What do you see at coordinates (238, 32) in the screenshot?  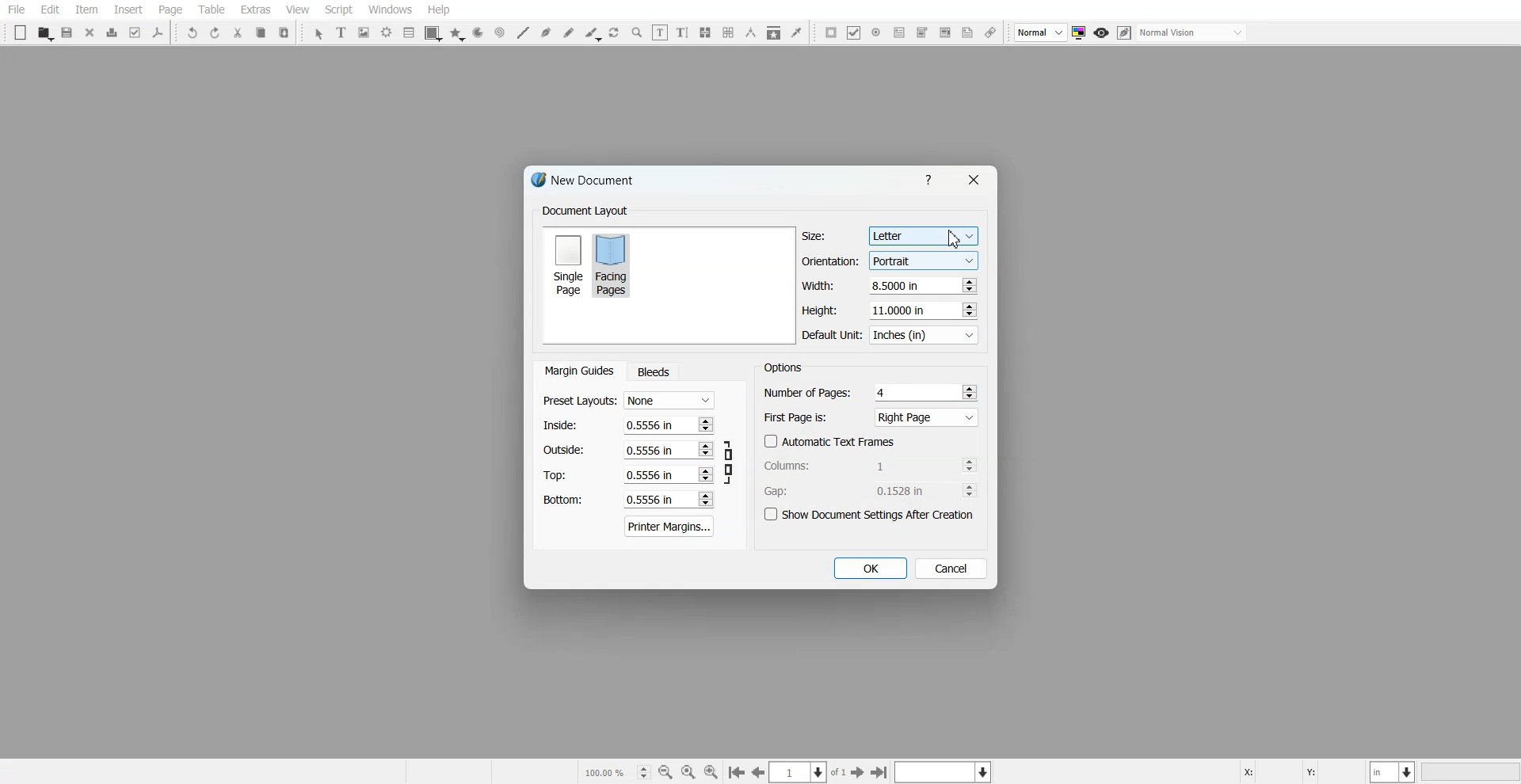 I see `Cut` at bounding box center [238, 32].